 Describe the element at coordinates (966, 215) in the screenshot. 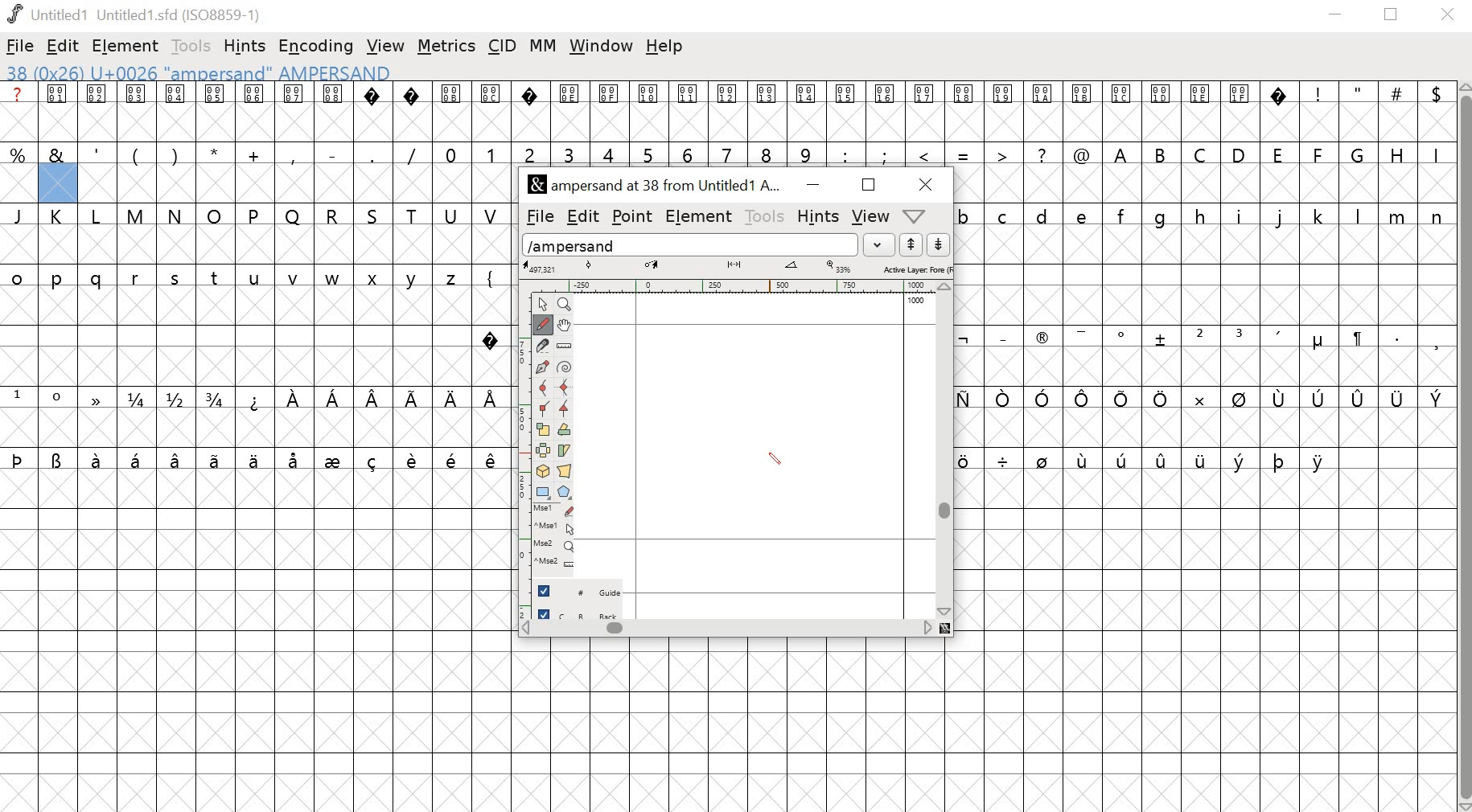

I see `b` at that location.